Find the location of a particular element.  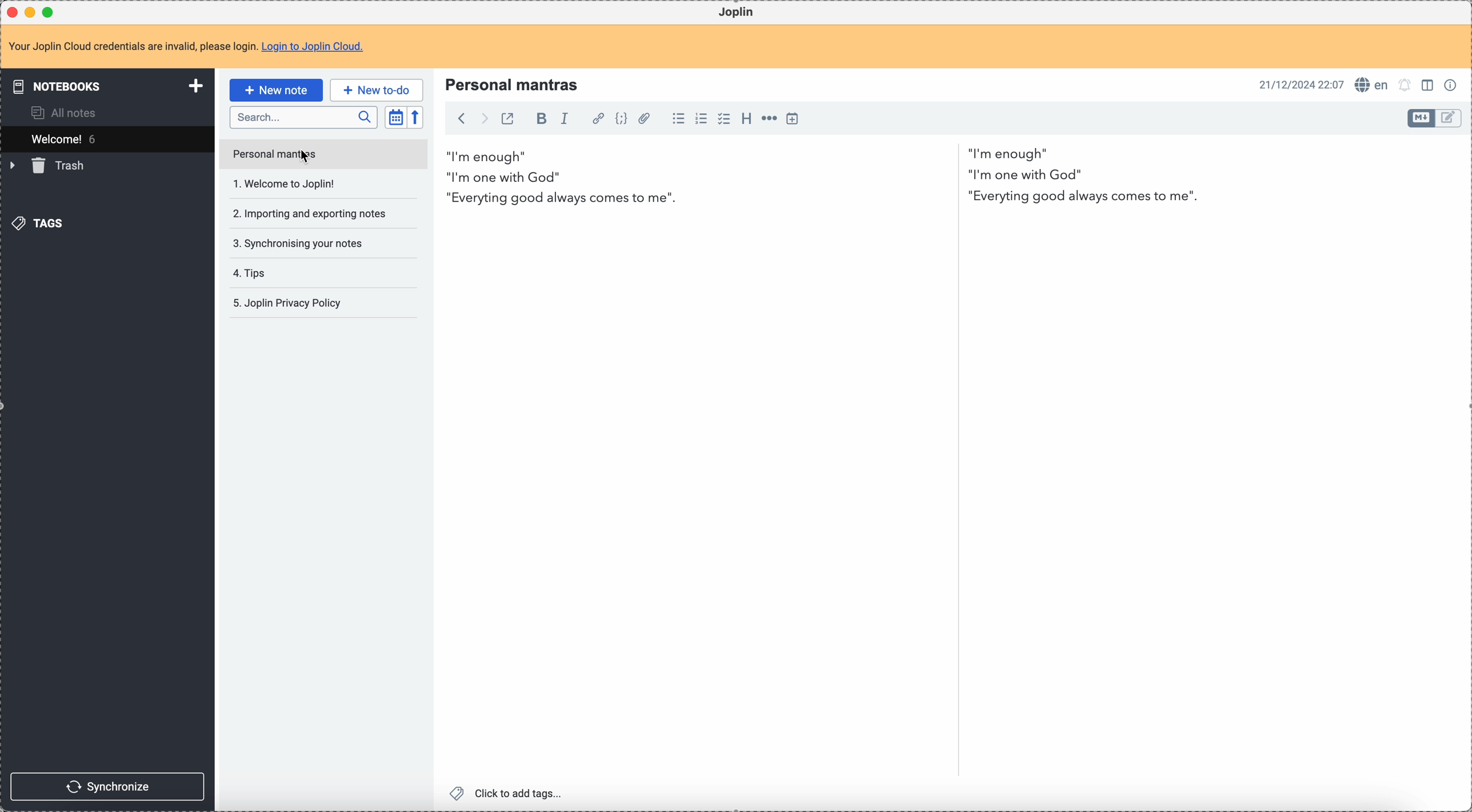

bold is located at coordinates (541, 119).